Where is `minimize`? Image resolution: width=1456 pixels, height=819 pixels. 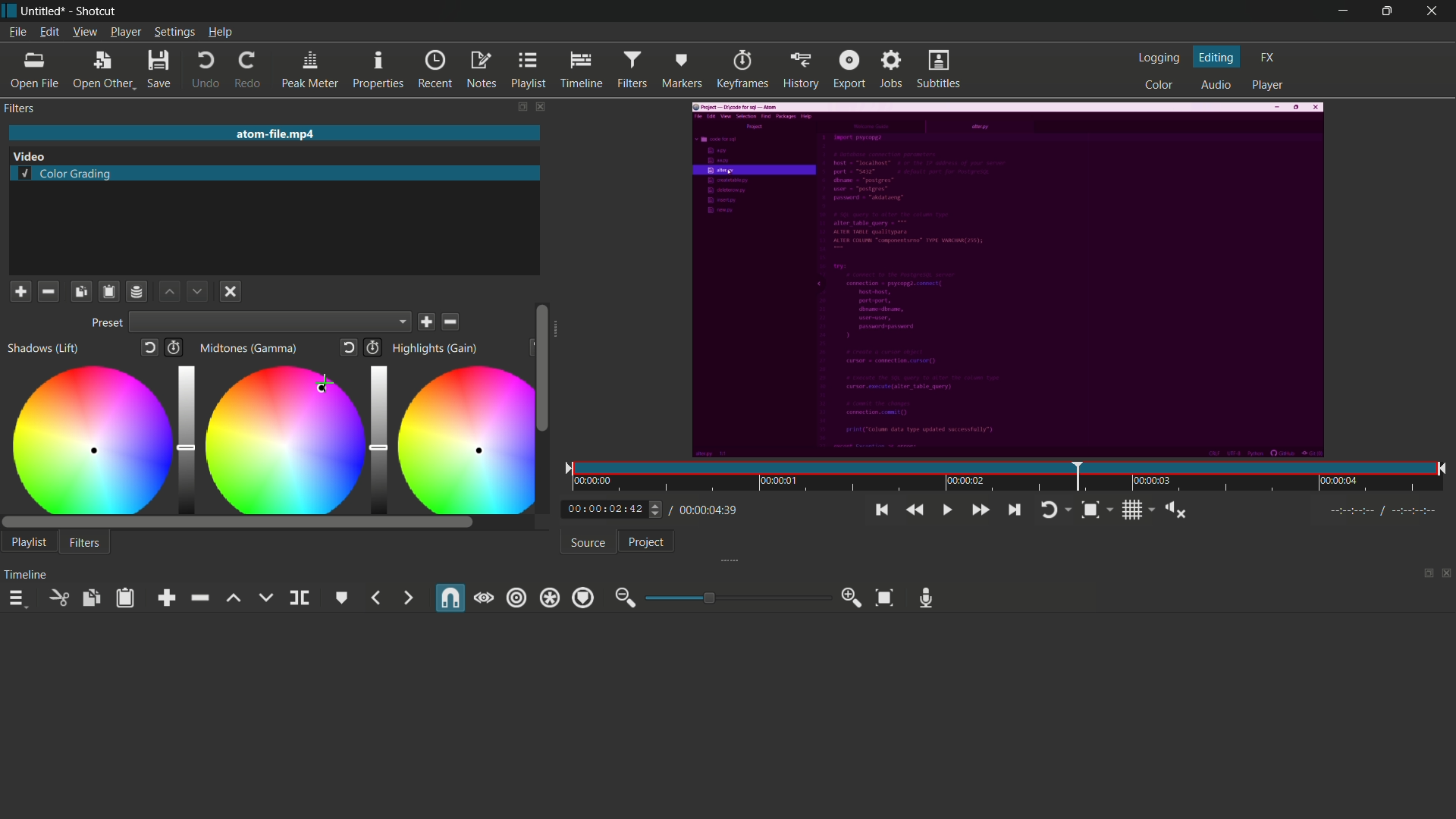 minimize is located at coordinates (1338, 12).